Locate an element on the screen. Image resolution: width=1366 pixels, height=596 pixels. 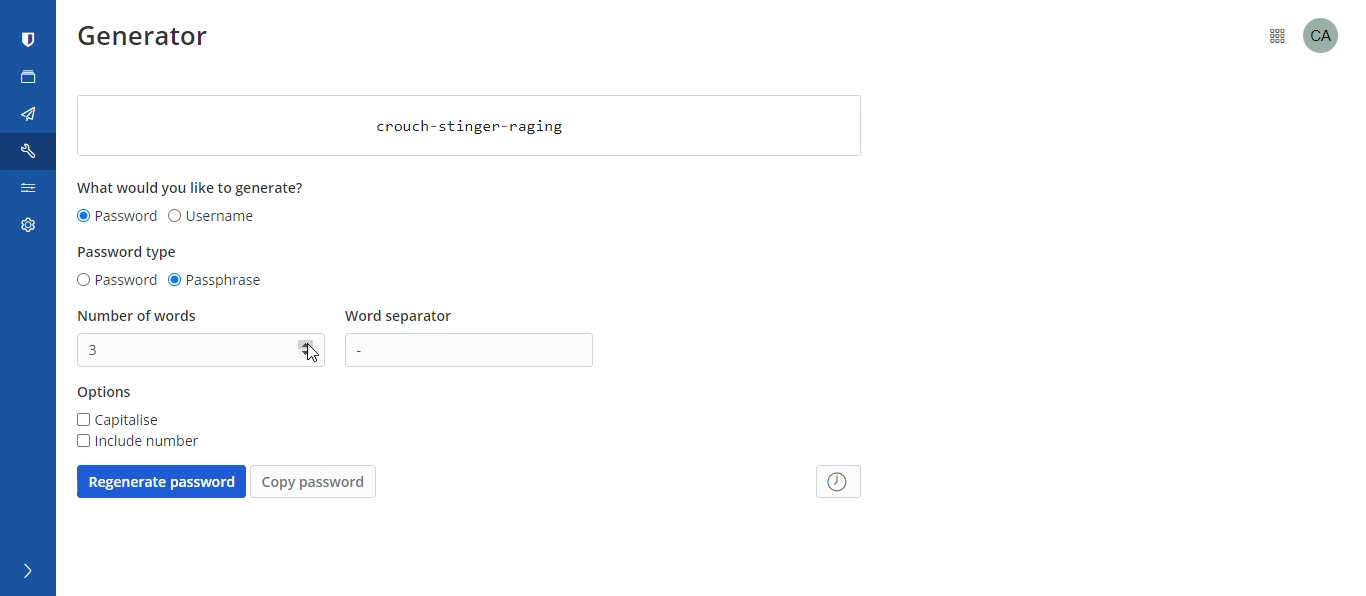
copy password is located at coordinates (313, 482).